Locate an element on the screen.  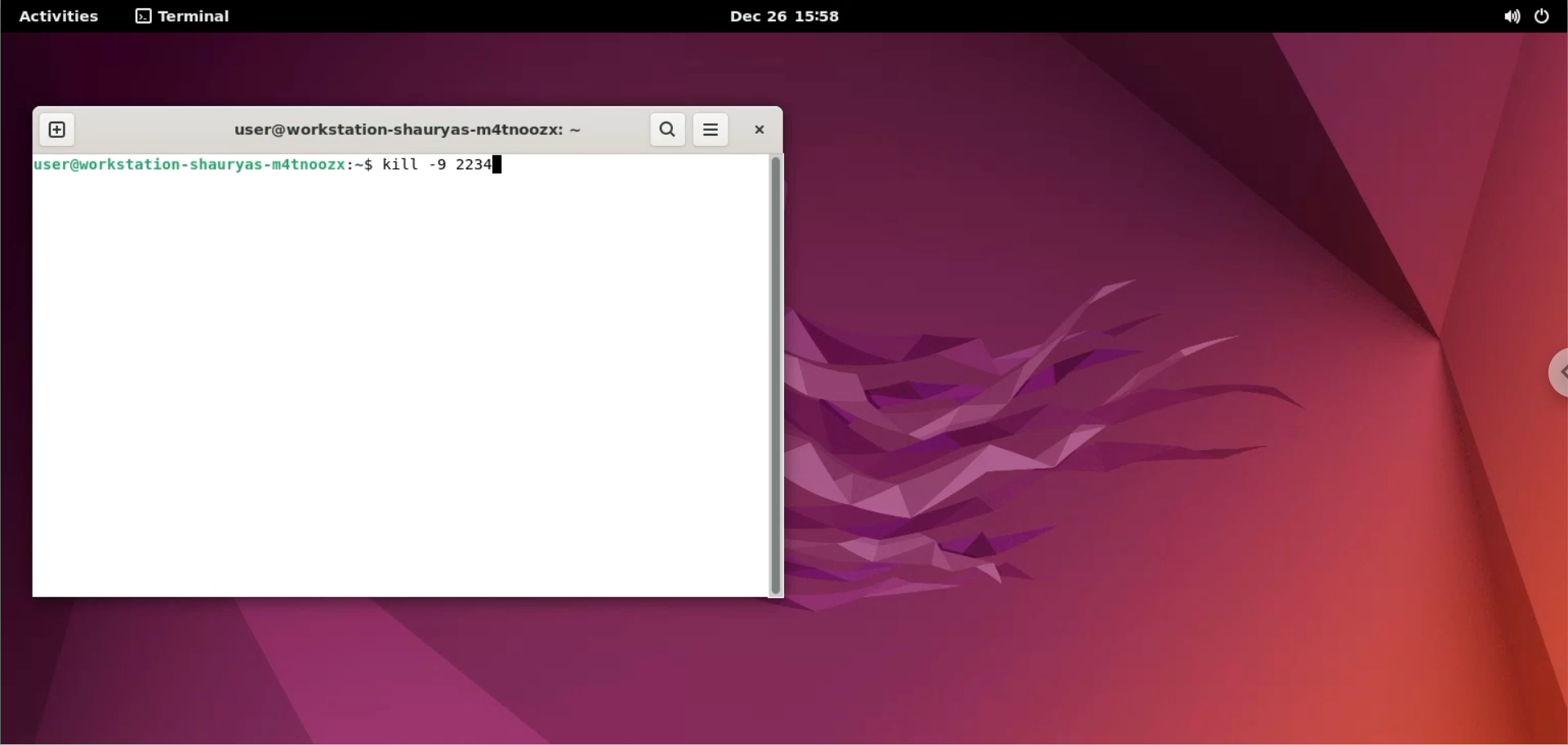
user@workstation-shauryas-m4tnoozx:~ is located at coordinates (394, 131).